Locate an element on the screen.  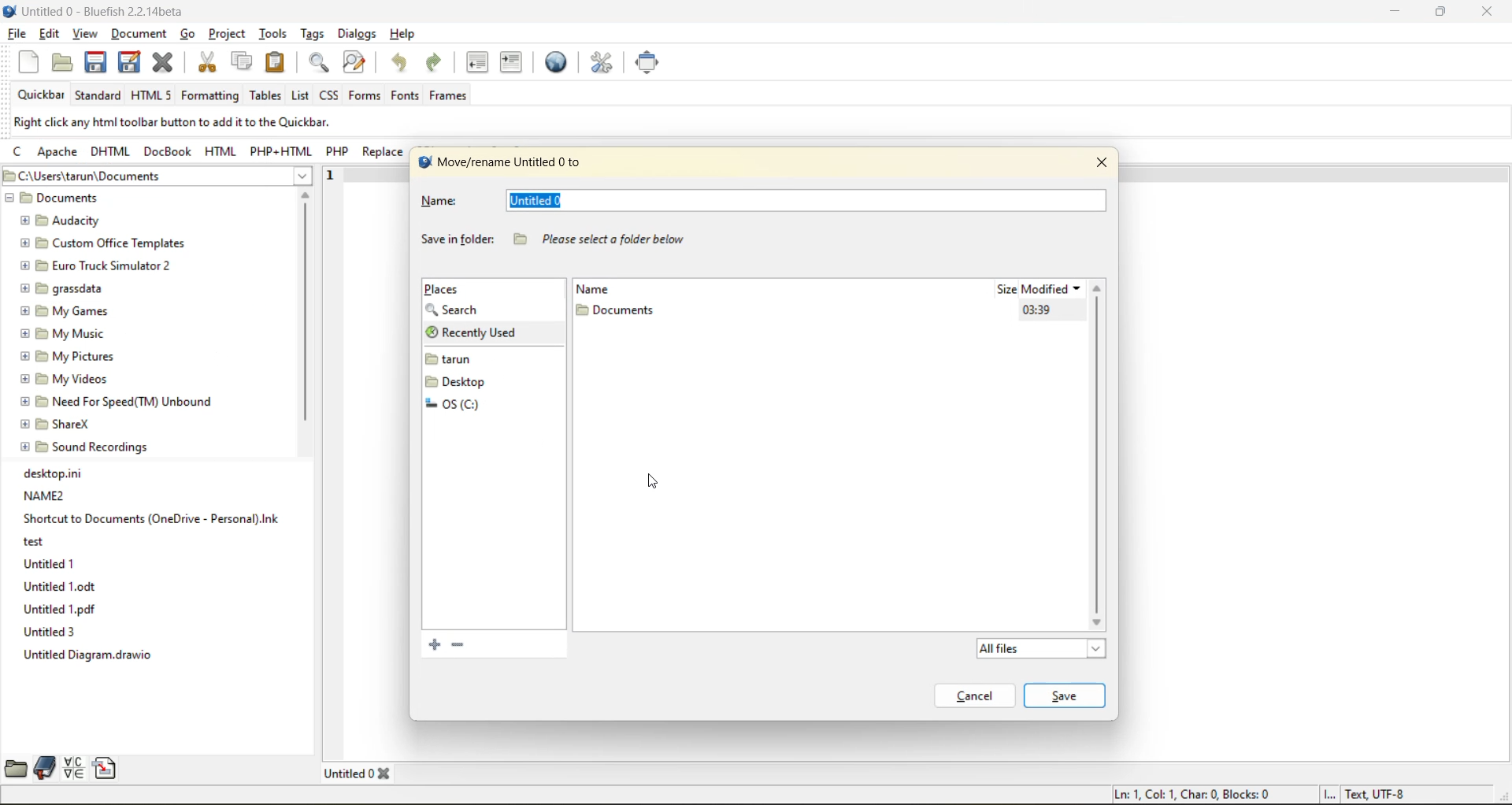
Untitled 3 is located at coordinates (47, 632).